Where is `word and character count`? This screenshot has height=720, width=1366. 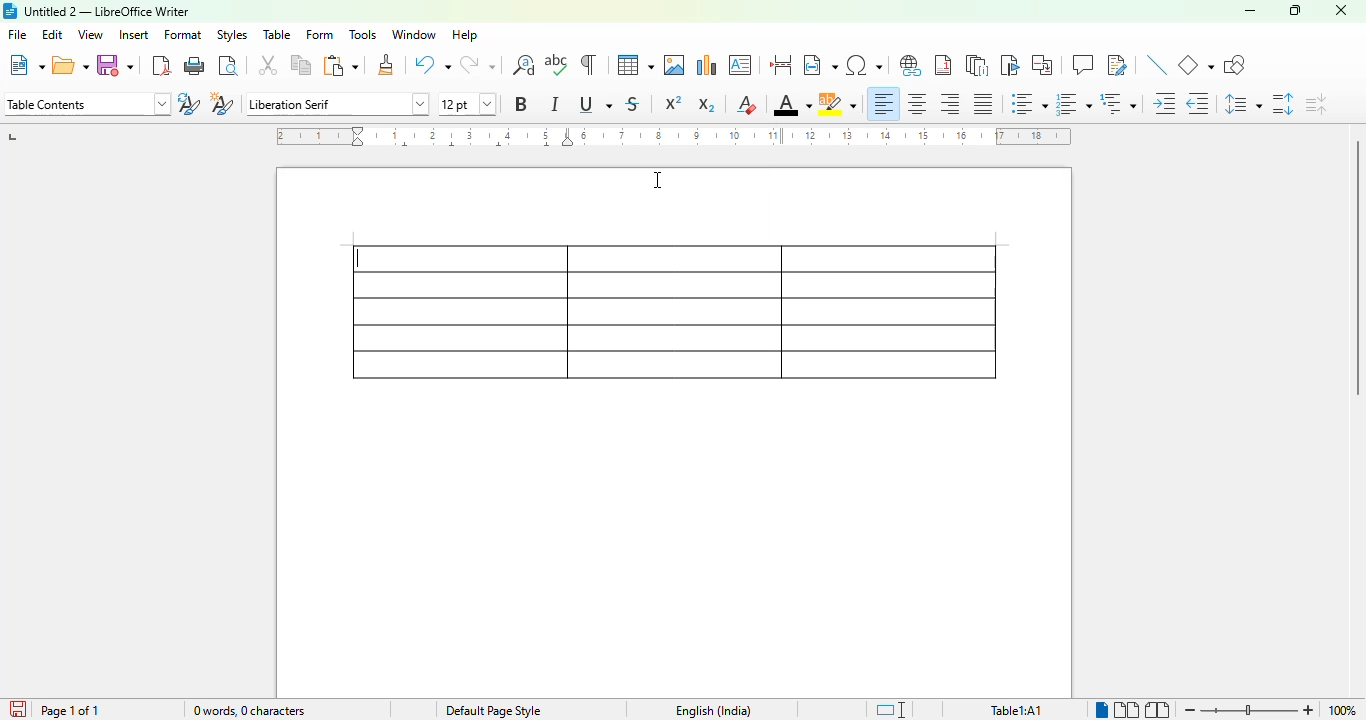
word and character count is located at coordinates (248, 710).